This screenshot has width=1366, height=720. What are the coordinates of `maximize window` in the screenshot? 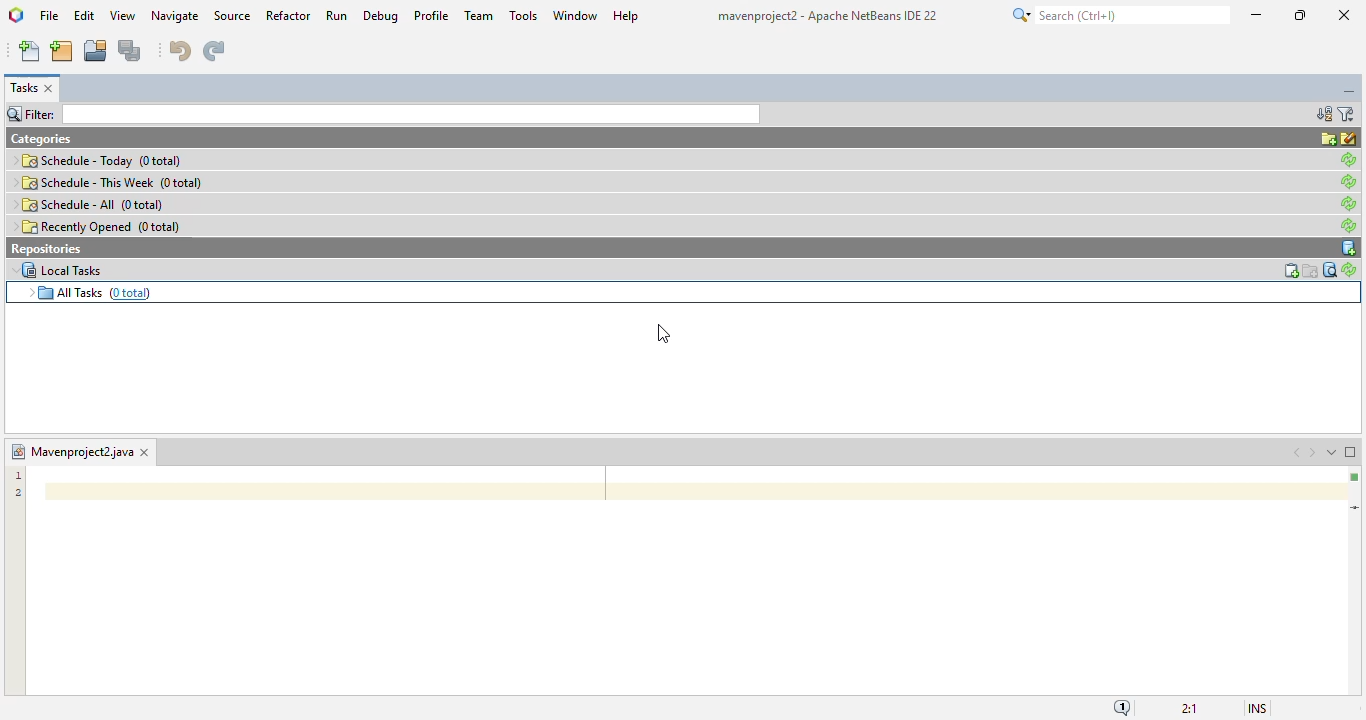 It's located at (1352, 452).